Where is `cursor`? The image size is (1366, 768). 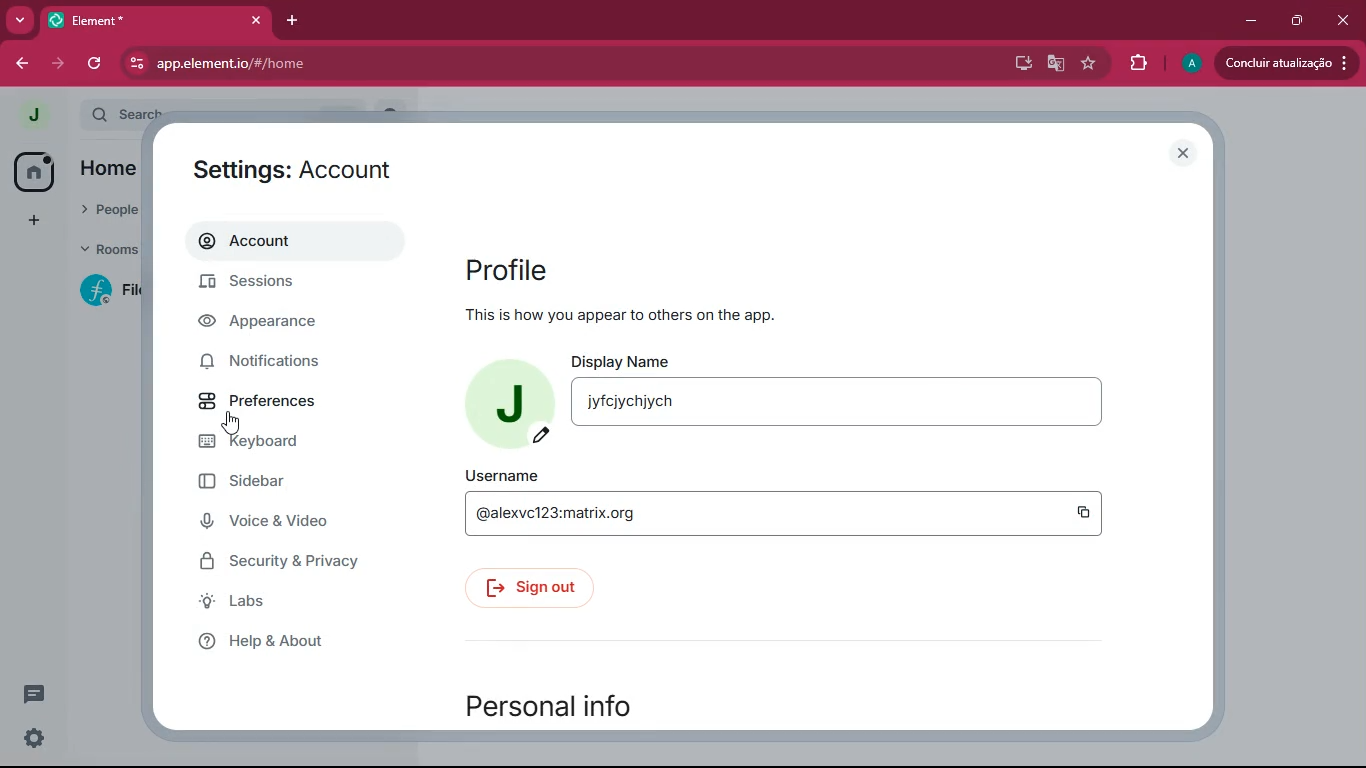
cursor is located at coordinates (232, 423).